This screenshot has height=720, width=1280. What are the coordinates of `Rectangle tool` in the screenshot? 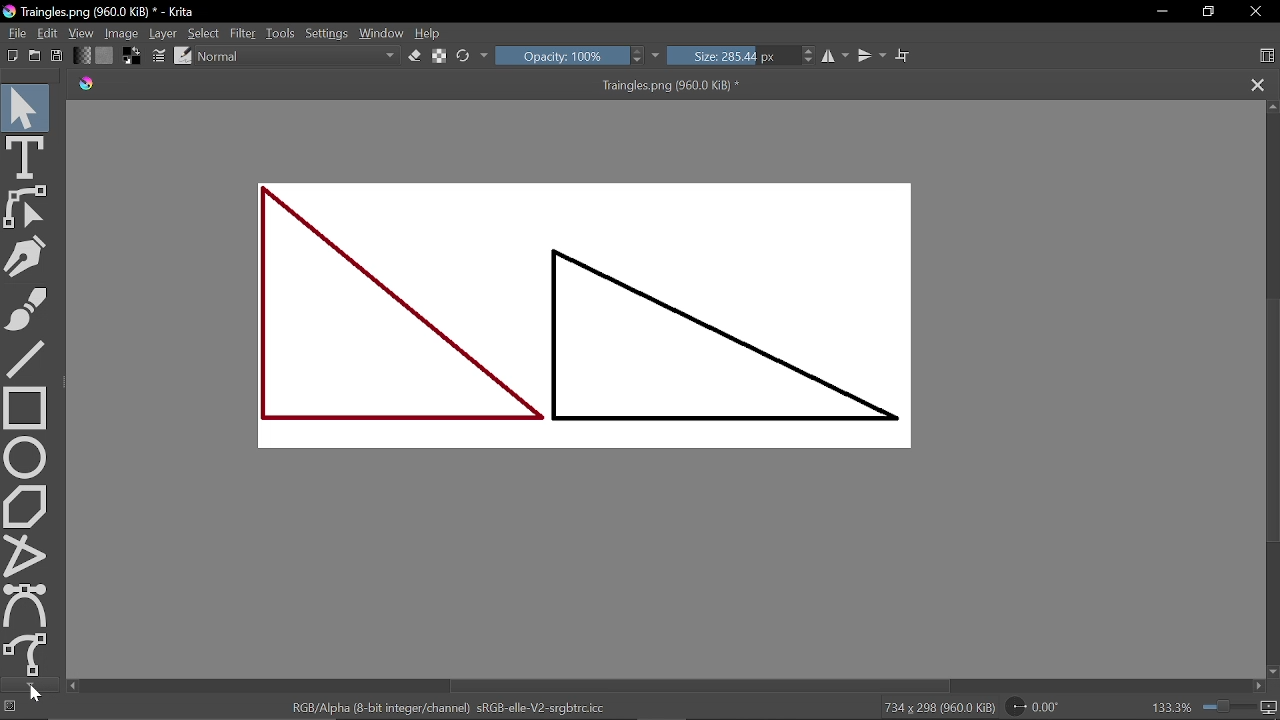 It's located at (27, 408).